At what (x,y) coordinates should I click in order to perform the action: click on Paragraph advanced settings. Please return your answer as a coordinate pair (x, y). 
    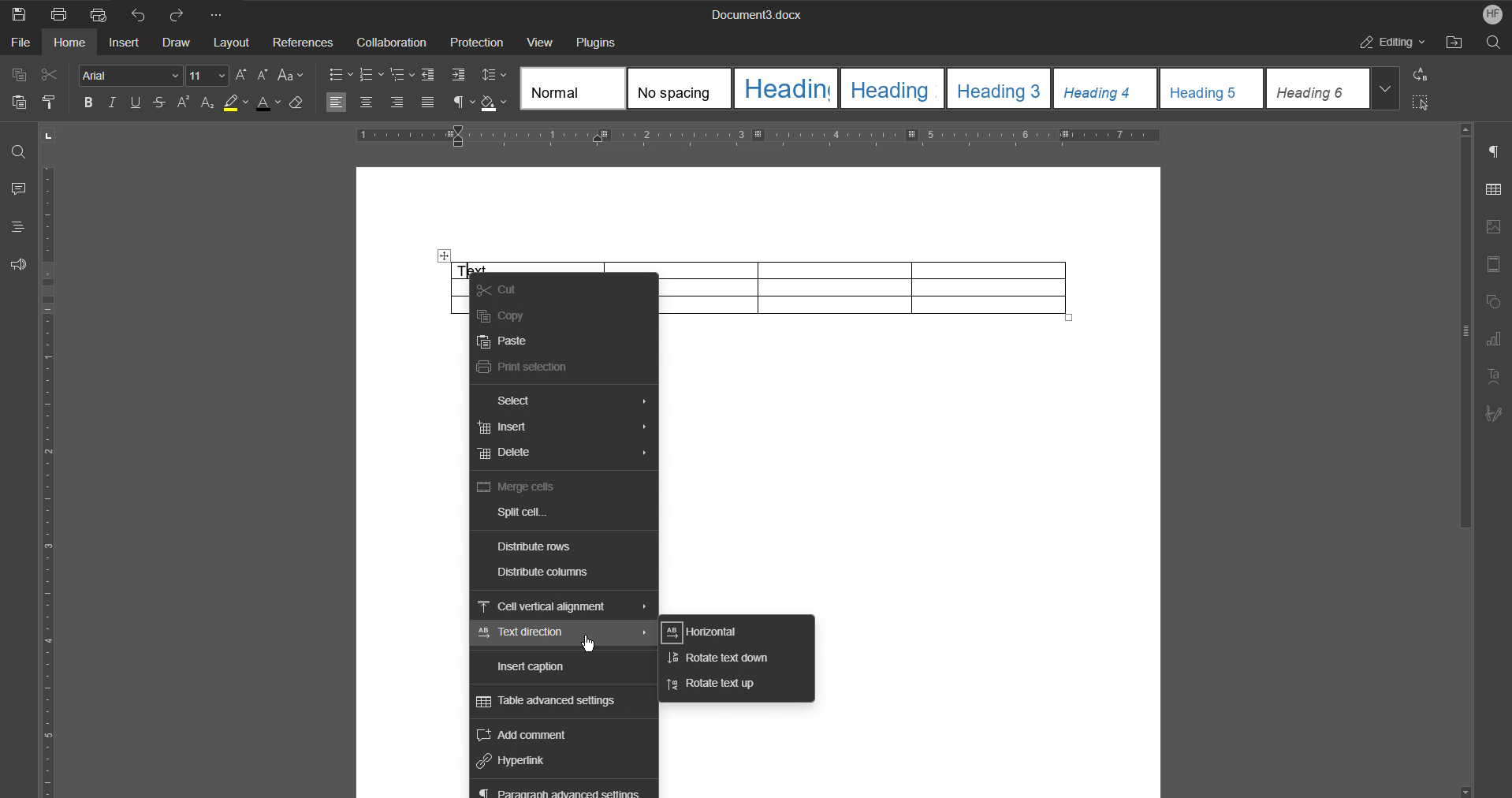
    Looking at the image, I should click on (568, 790).